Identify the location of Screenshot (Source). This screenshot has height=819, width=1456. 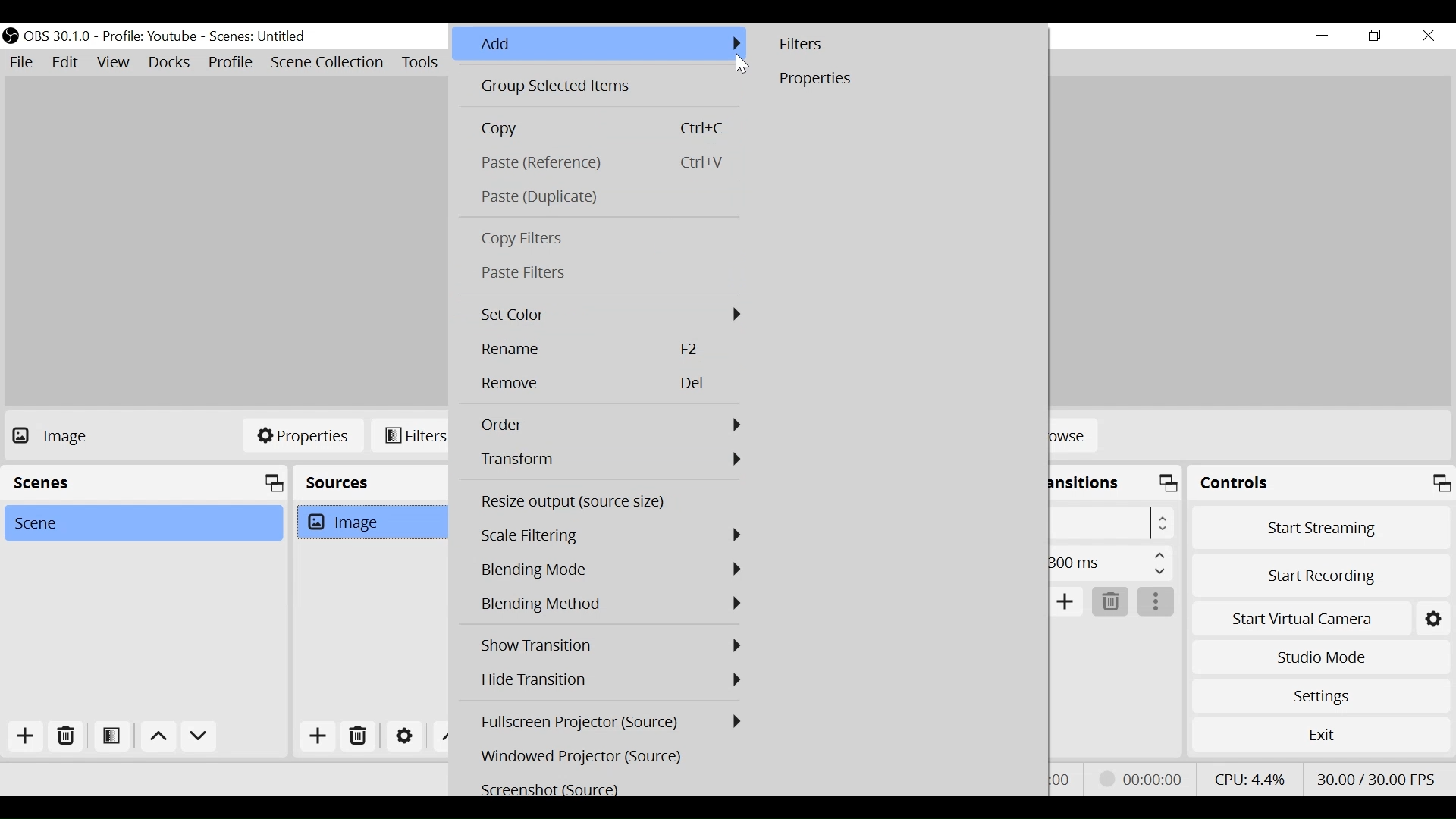
(613, 786).